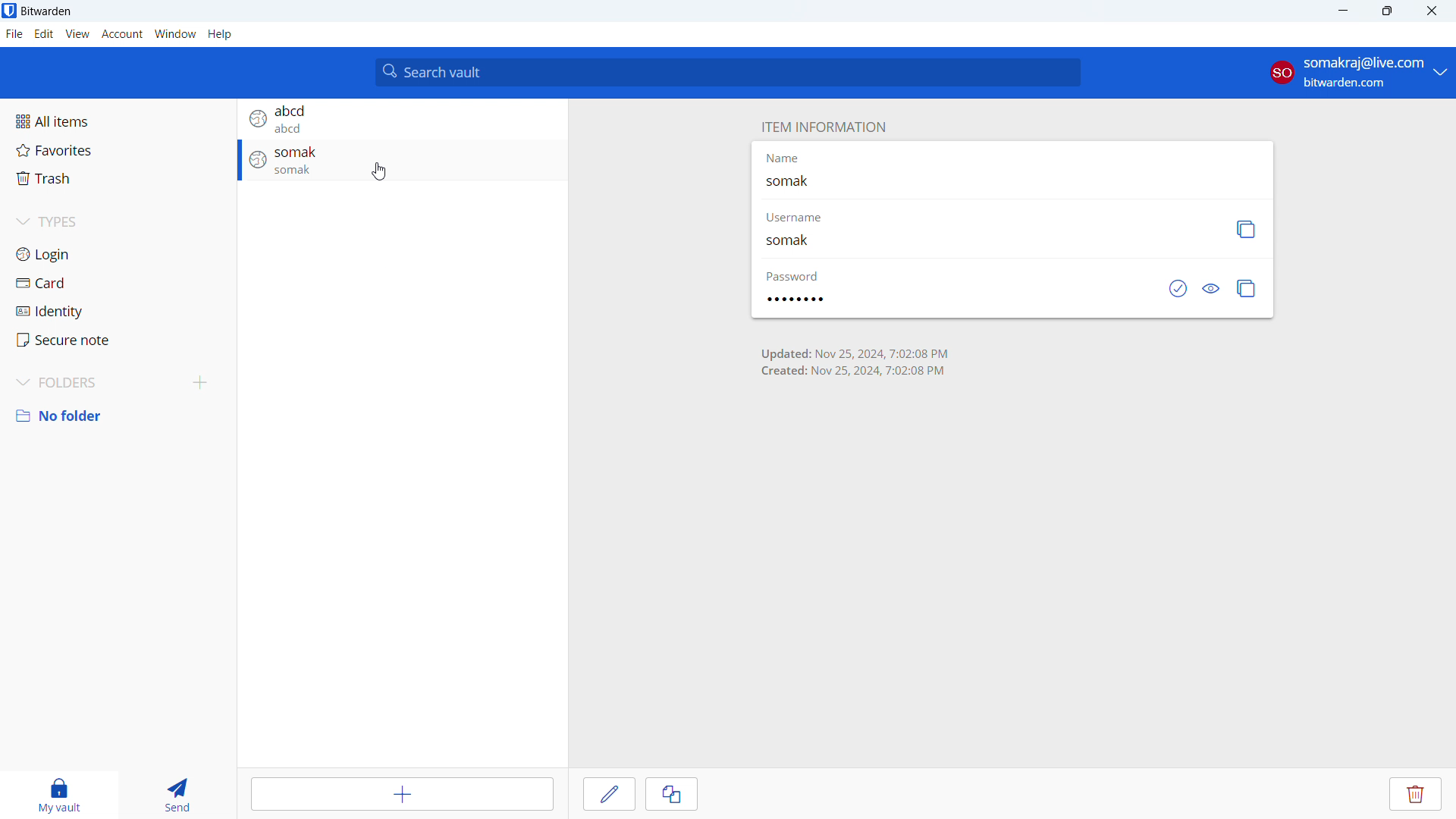 The height and width of the screenshot is (819, 1456). I want to click on folders, so click(92, 384).